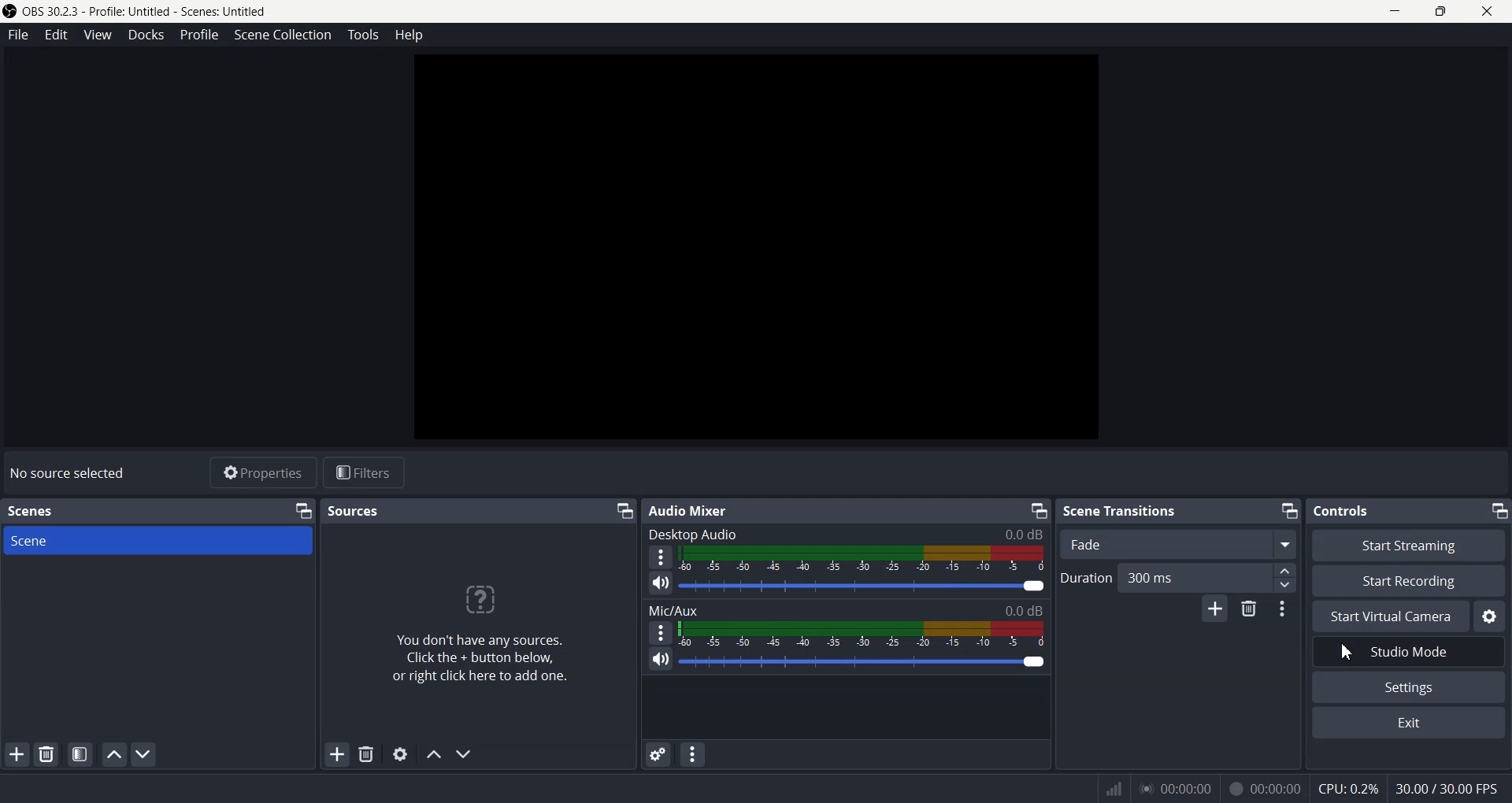  I want to click on Minimize, so click(1288, 512).